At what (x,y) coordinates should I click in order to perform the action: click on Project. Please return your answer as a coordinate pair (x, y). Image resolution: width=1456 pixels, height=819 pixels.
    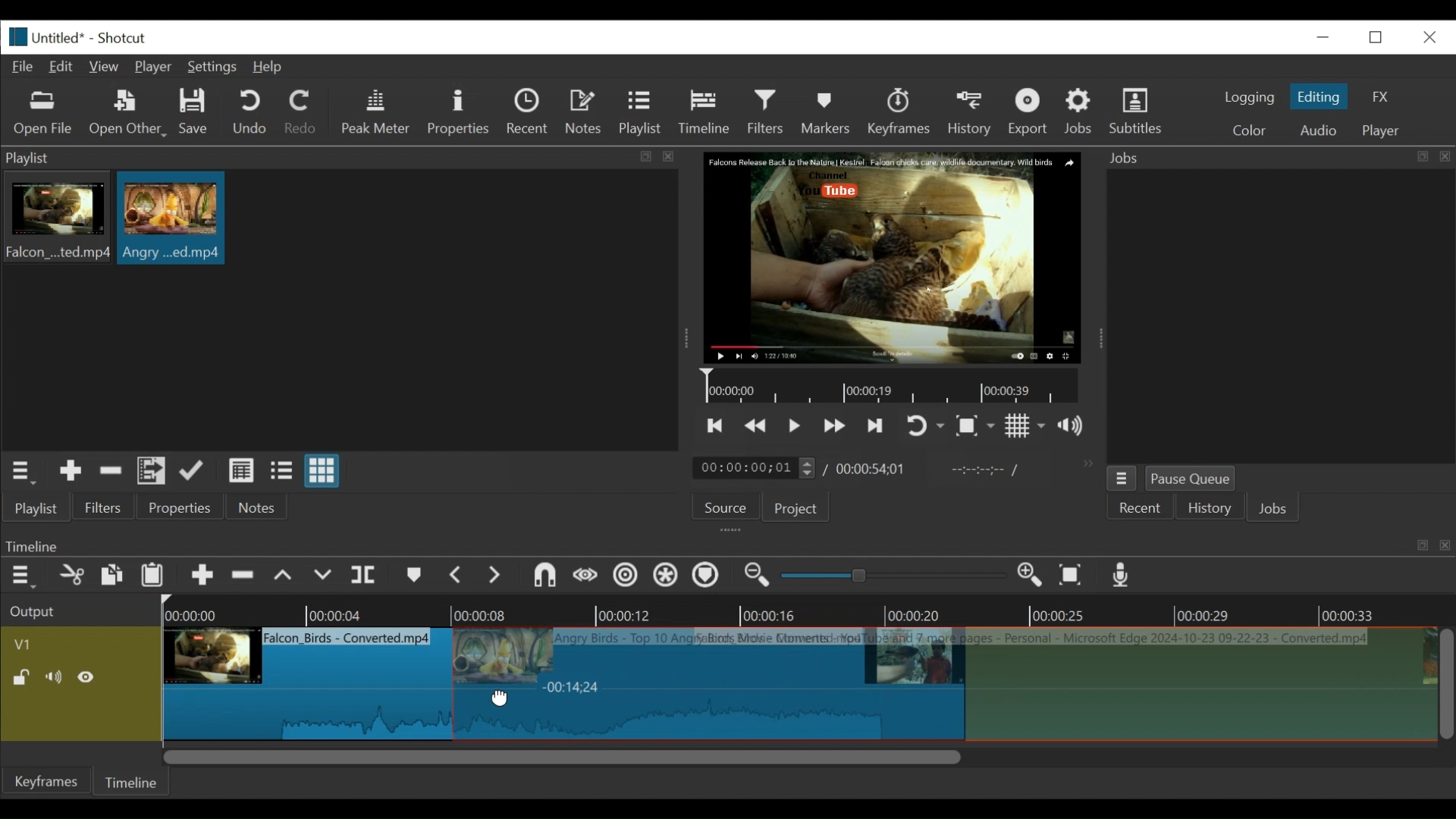
    Looking at the image, I should click on (793, 510).